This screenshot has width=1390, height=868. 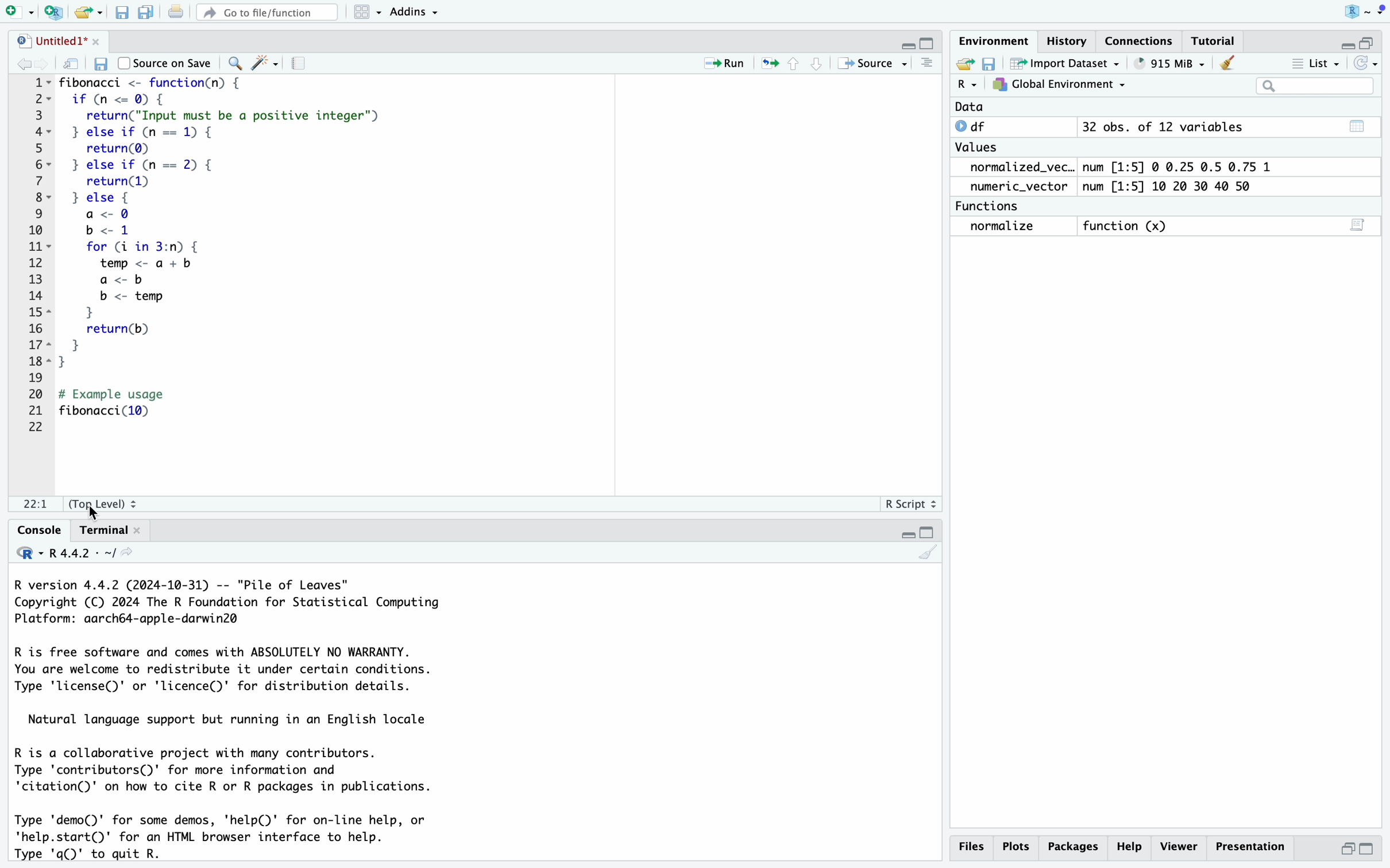 What do you see at coordinates (966, 63) in the screenshot?
I see `load workspace` at bounding box center [966, 63].